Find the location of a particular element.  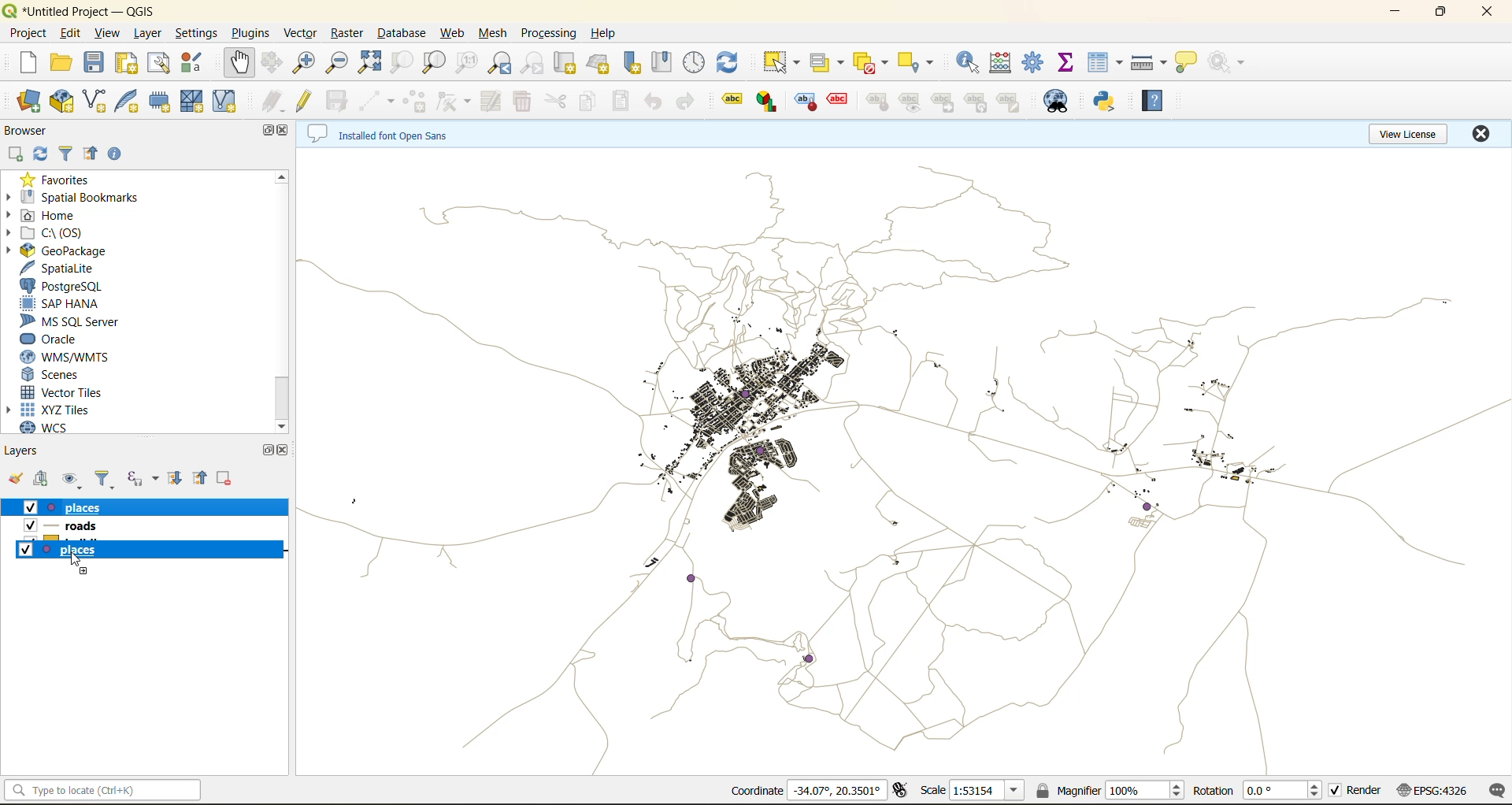

new is located at coordinates (24, 63).